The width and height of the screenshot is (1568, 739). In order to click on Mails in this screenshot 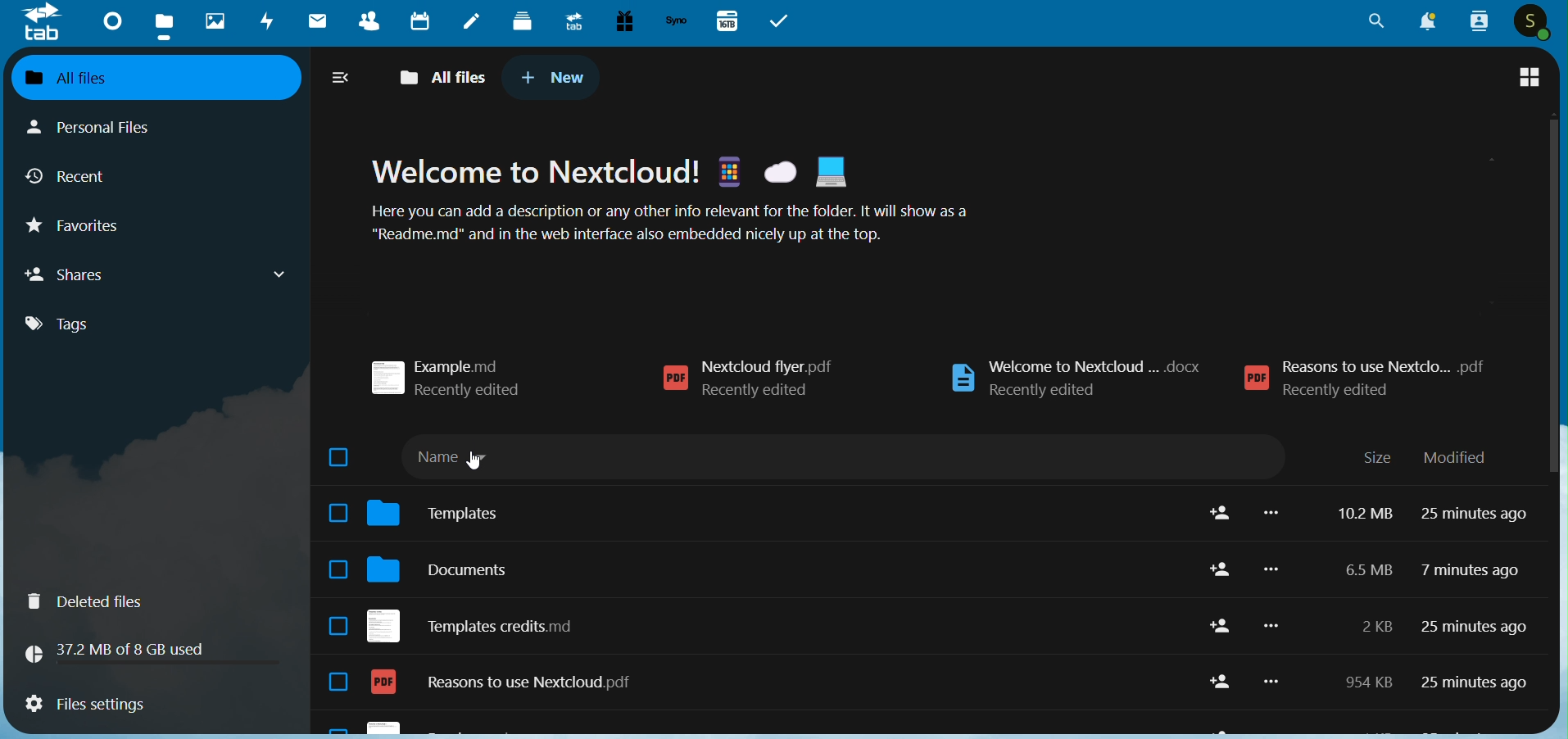, I will do `click(316, 19)`.